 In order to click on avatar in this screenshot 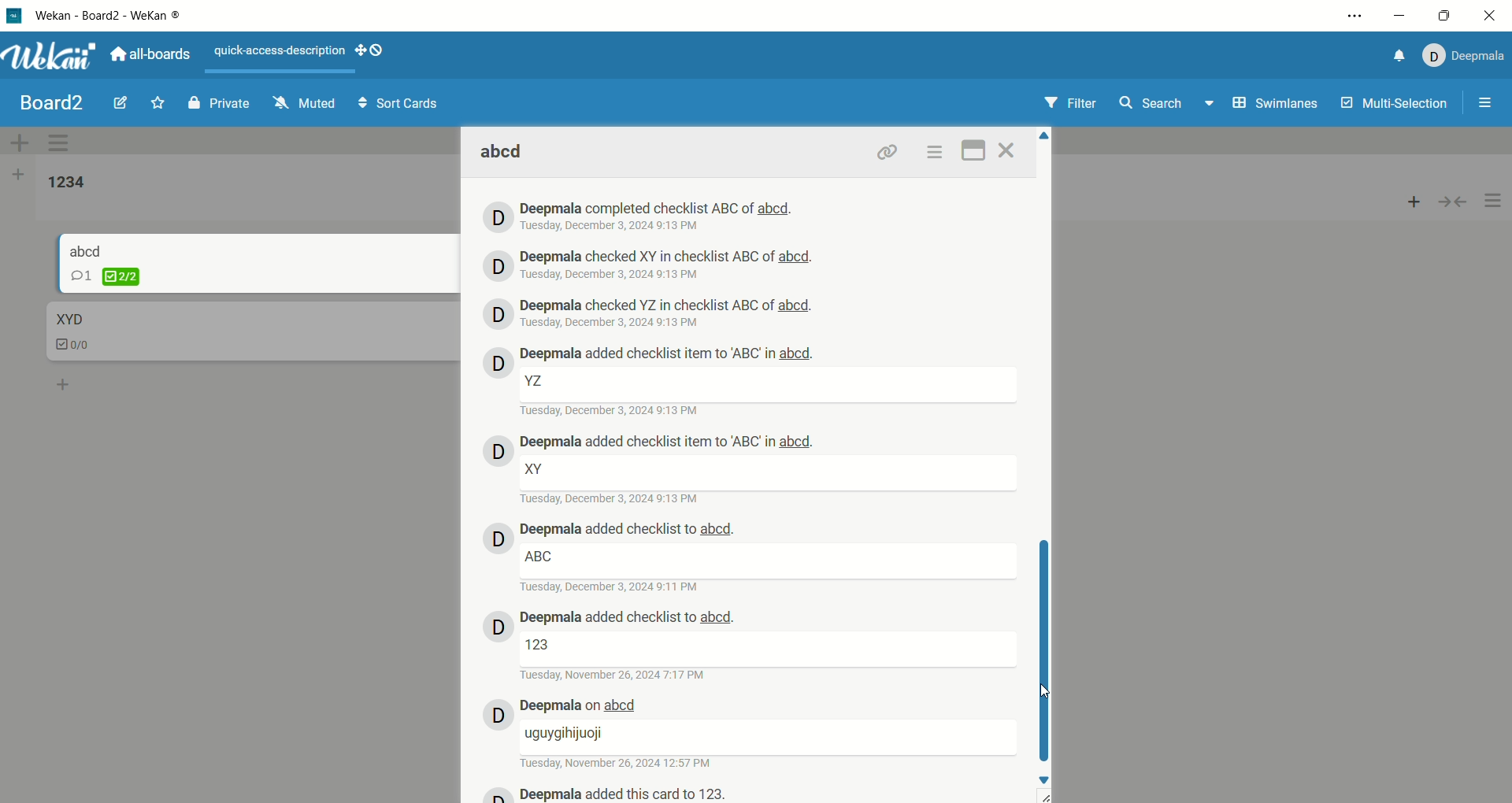, I will do `click(498, 628)`.